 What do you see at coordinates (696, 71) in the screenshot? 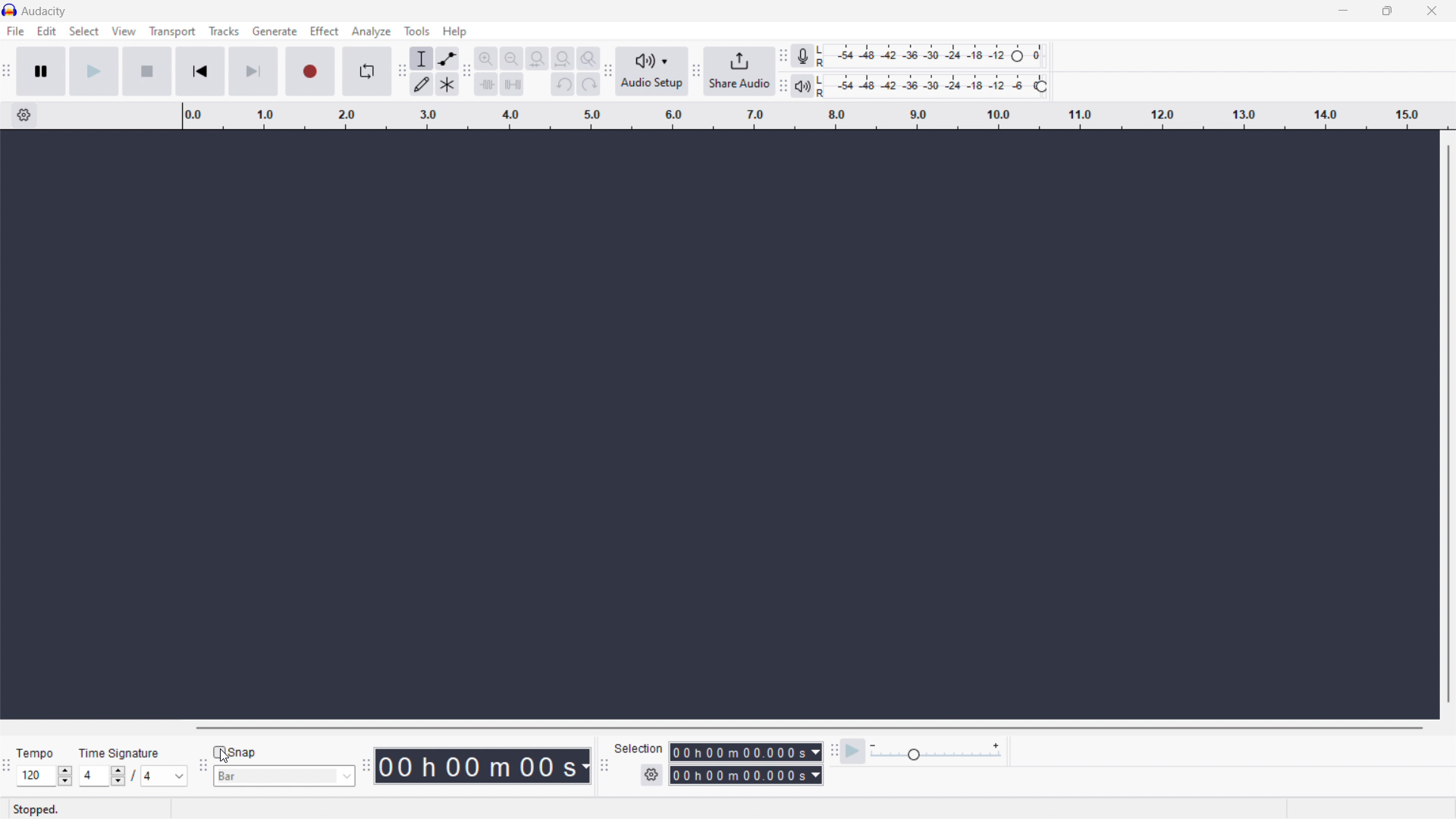
I see `share audio toolbar` at bounding box center [696, 71].